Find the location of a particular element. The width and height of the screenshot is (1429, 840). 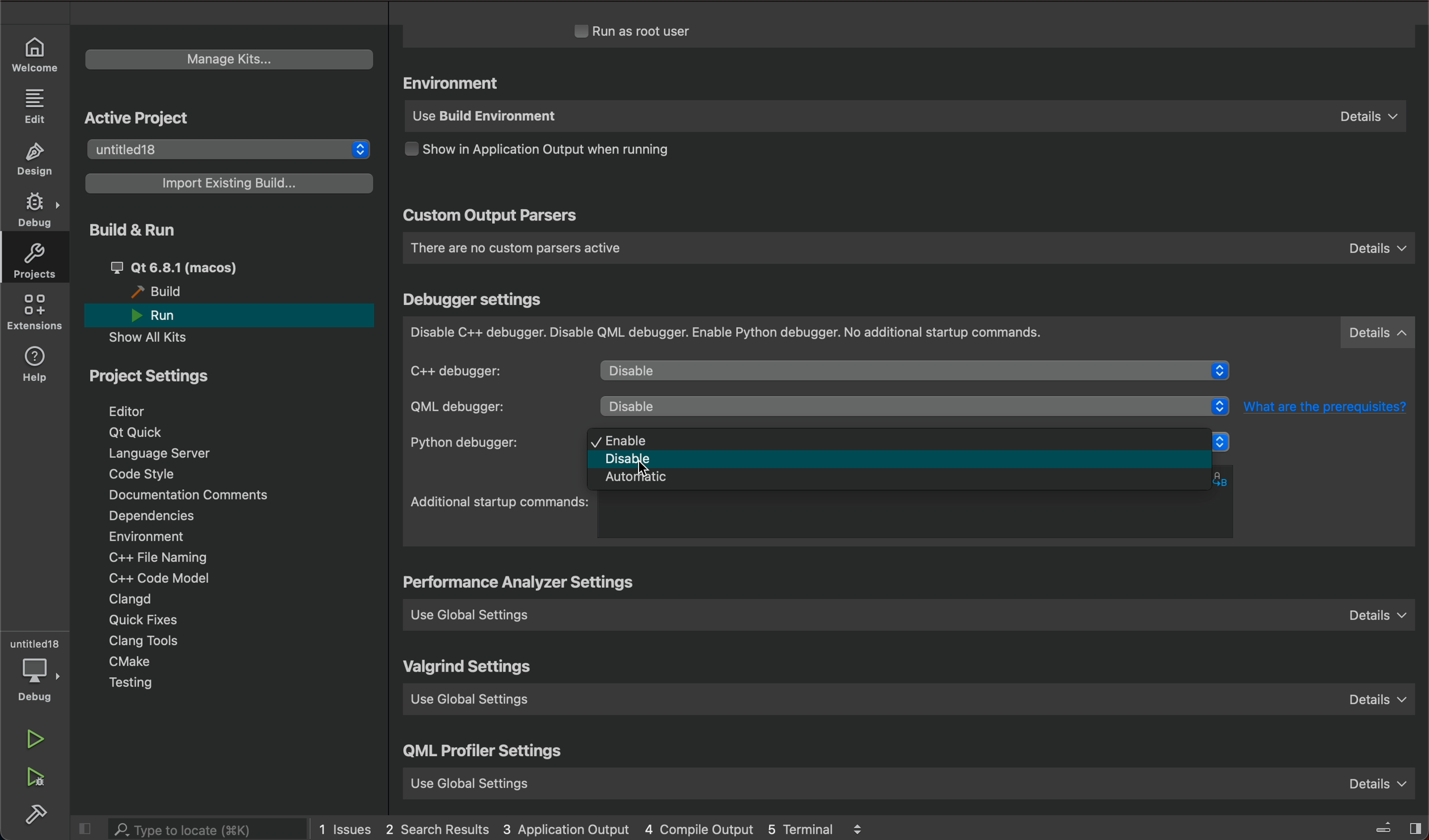

close slidebar is located at coordinates (90, 829).